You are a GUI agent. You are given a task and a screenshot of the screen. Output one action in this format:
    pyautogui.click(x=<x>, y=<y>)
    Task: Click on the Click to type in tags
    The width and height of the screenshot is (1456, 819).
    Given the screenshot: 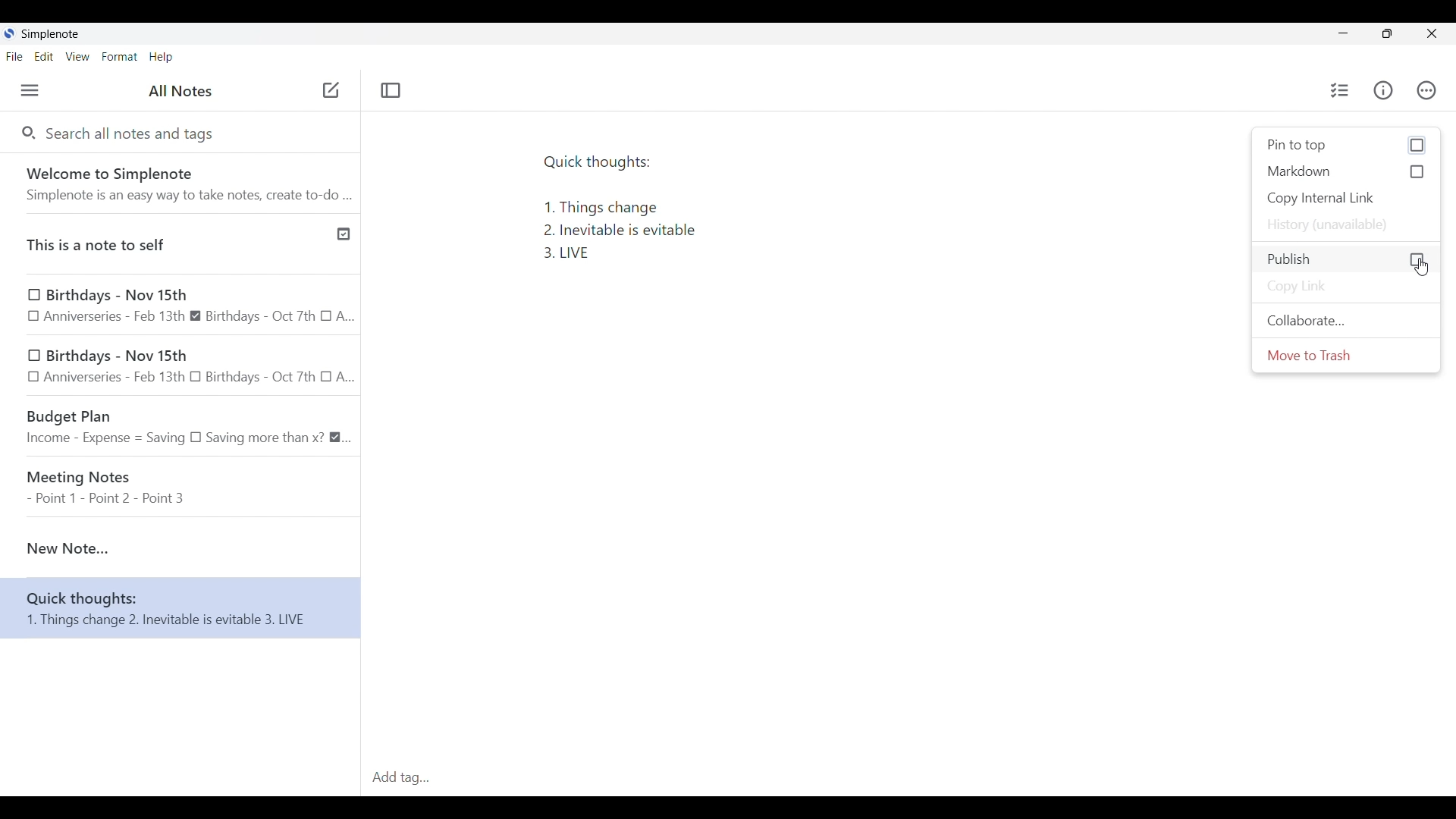 What is the action you would take?
    pyautogui.click(x=907, y=779)
    